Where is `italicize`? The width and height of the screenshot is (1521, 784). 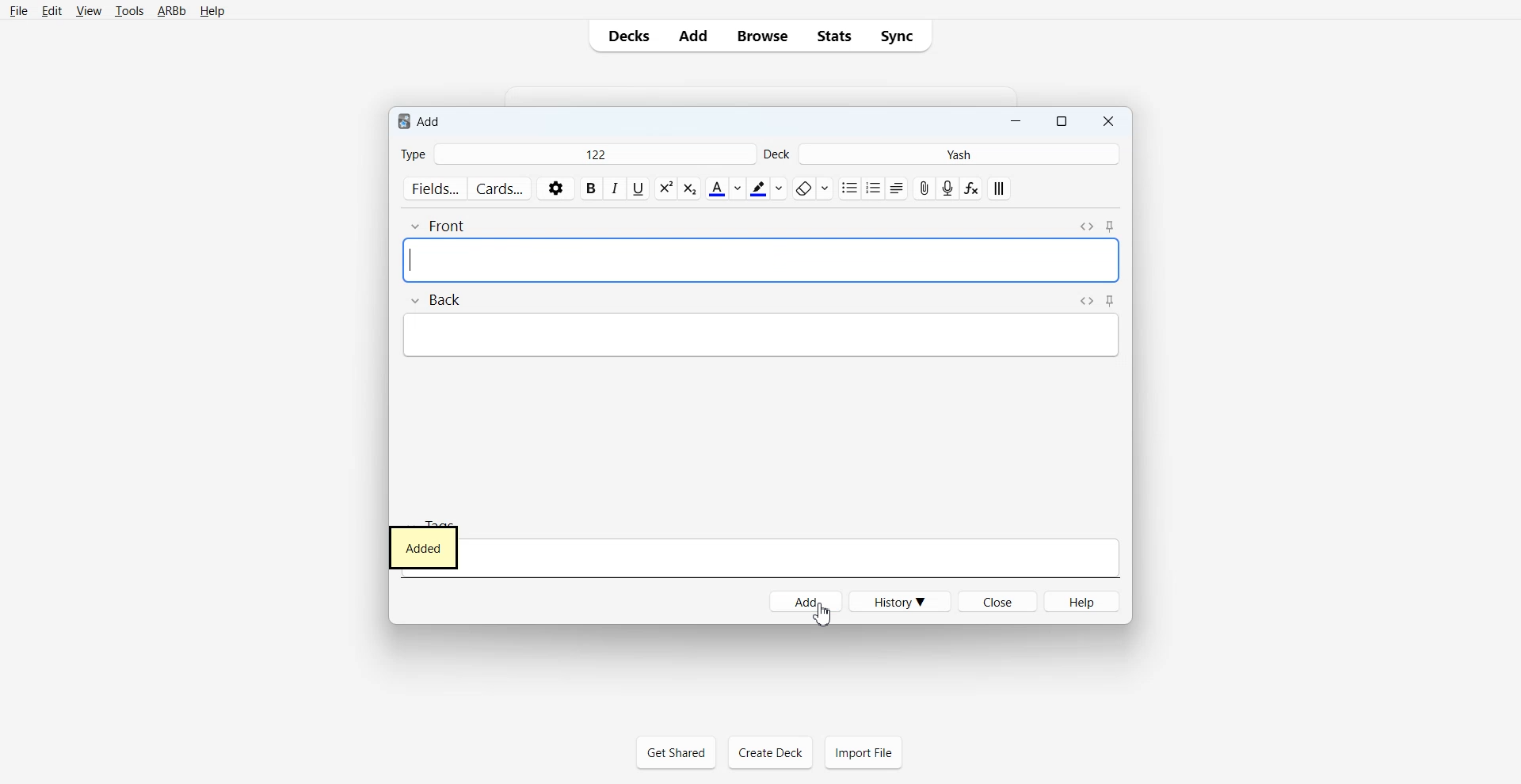 italicize is located at coordinates (615, 190).